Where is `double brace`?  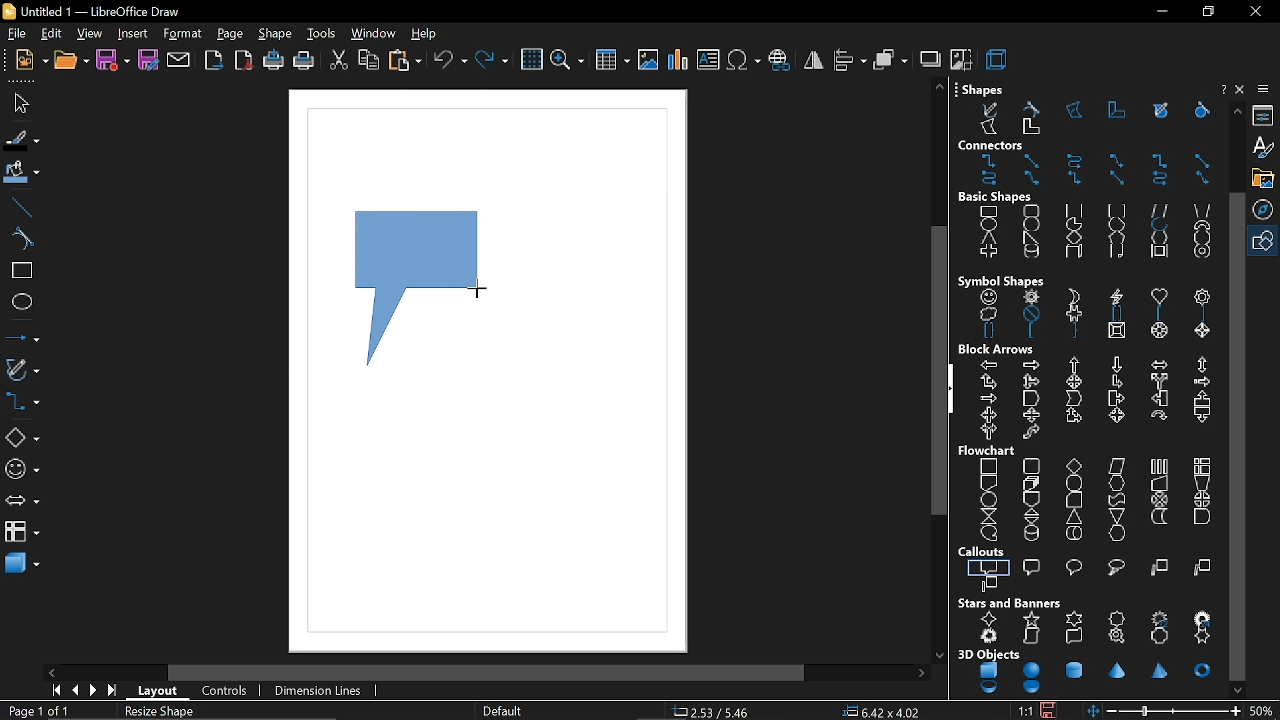
double brace is located at coordinates (988, 332).